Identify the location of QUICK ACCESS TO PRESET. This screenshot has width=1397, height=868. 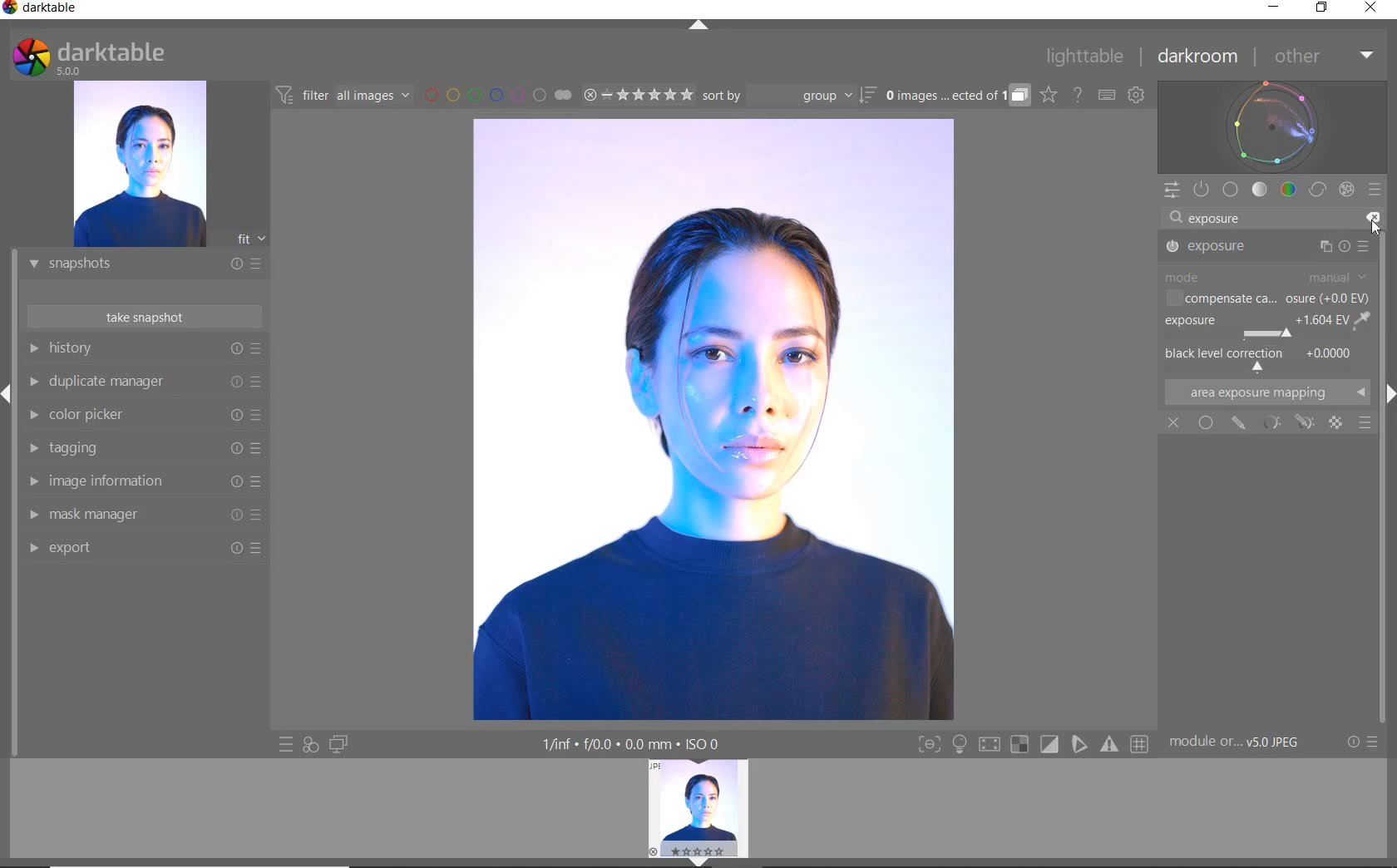
(287, 746).